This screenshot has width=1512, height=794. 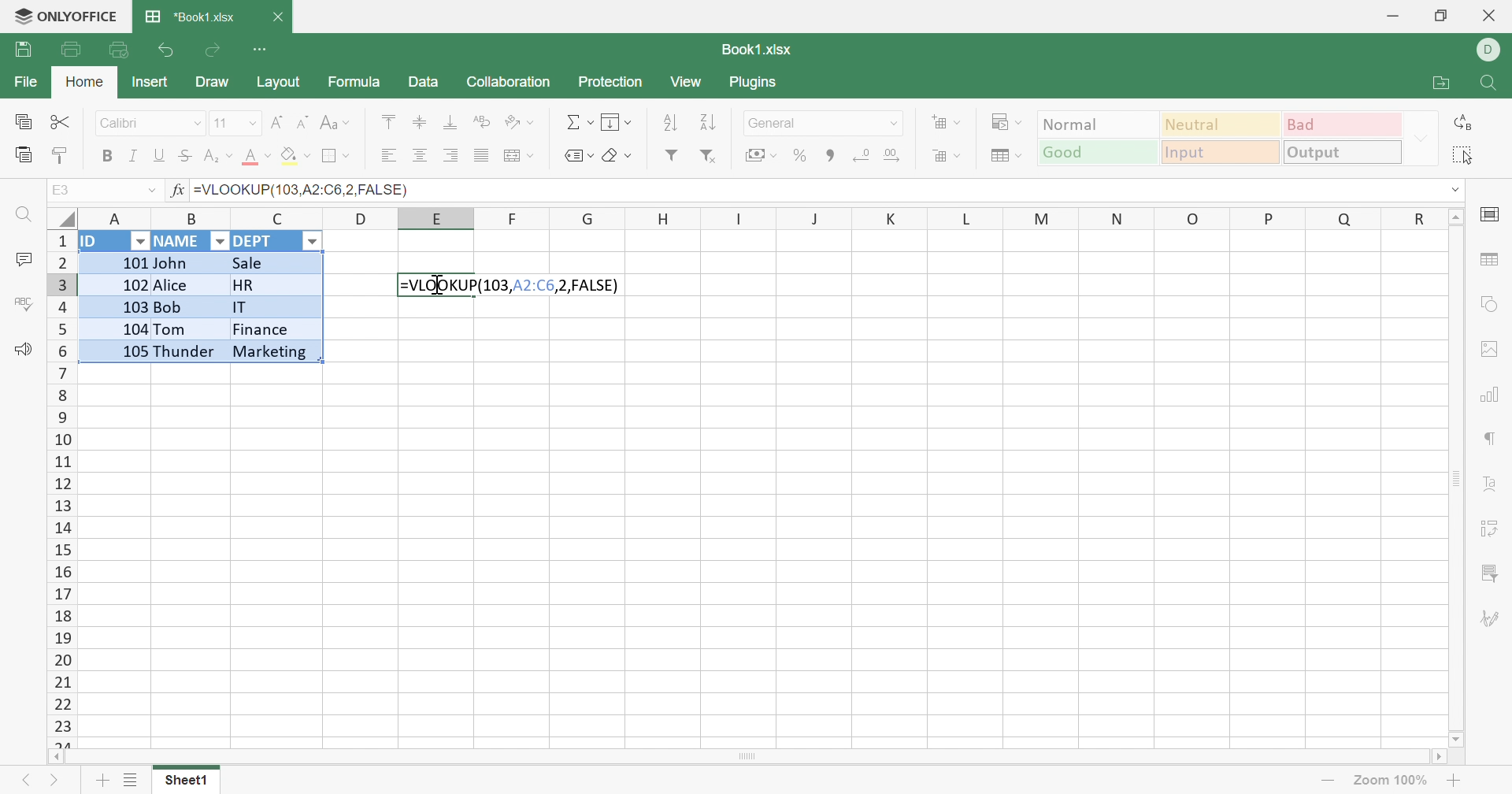 What do you see at coordinates (1492, 50) in the screenshot?
I see `DELL` at bounding box center [1492, 50].